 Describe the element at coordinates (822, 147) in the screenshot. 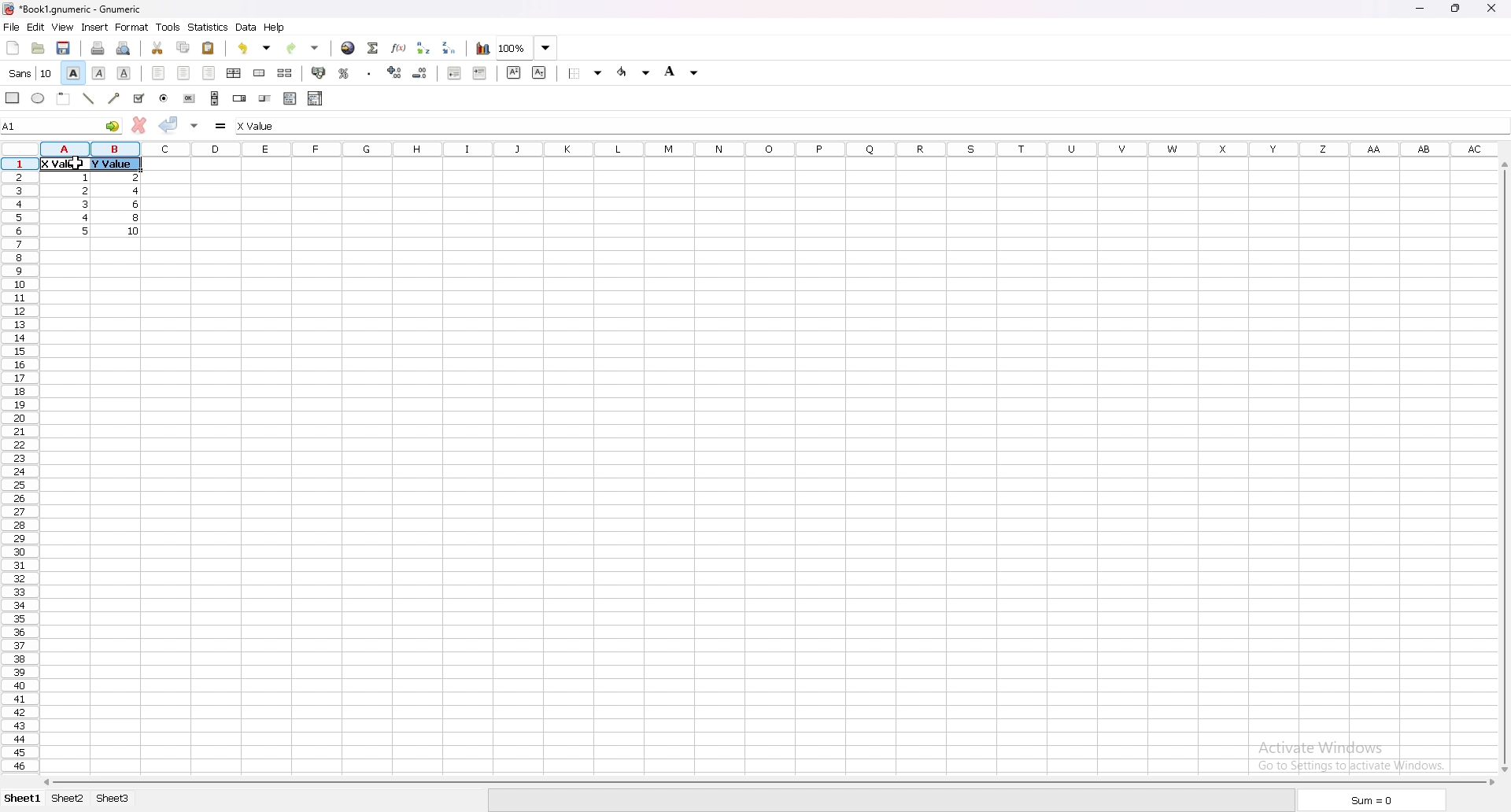

I see `columns` at that location.